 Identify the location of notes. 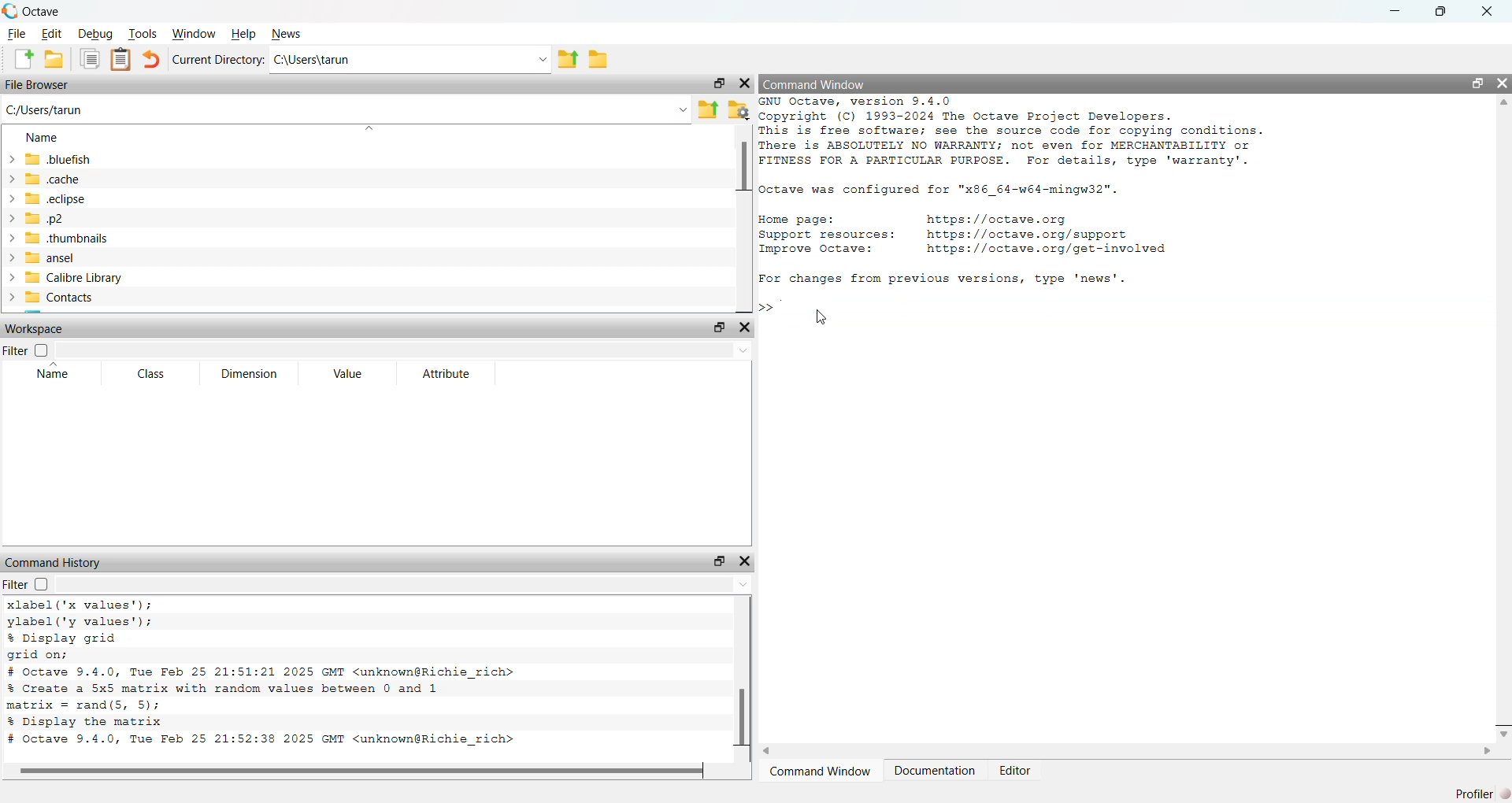
(124, 59).